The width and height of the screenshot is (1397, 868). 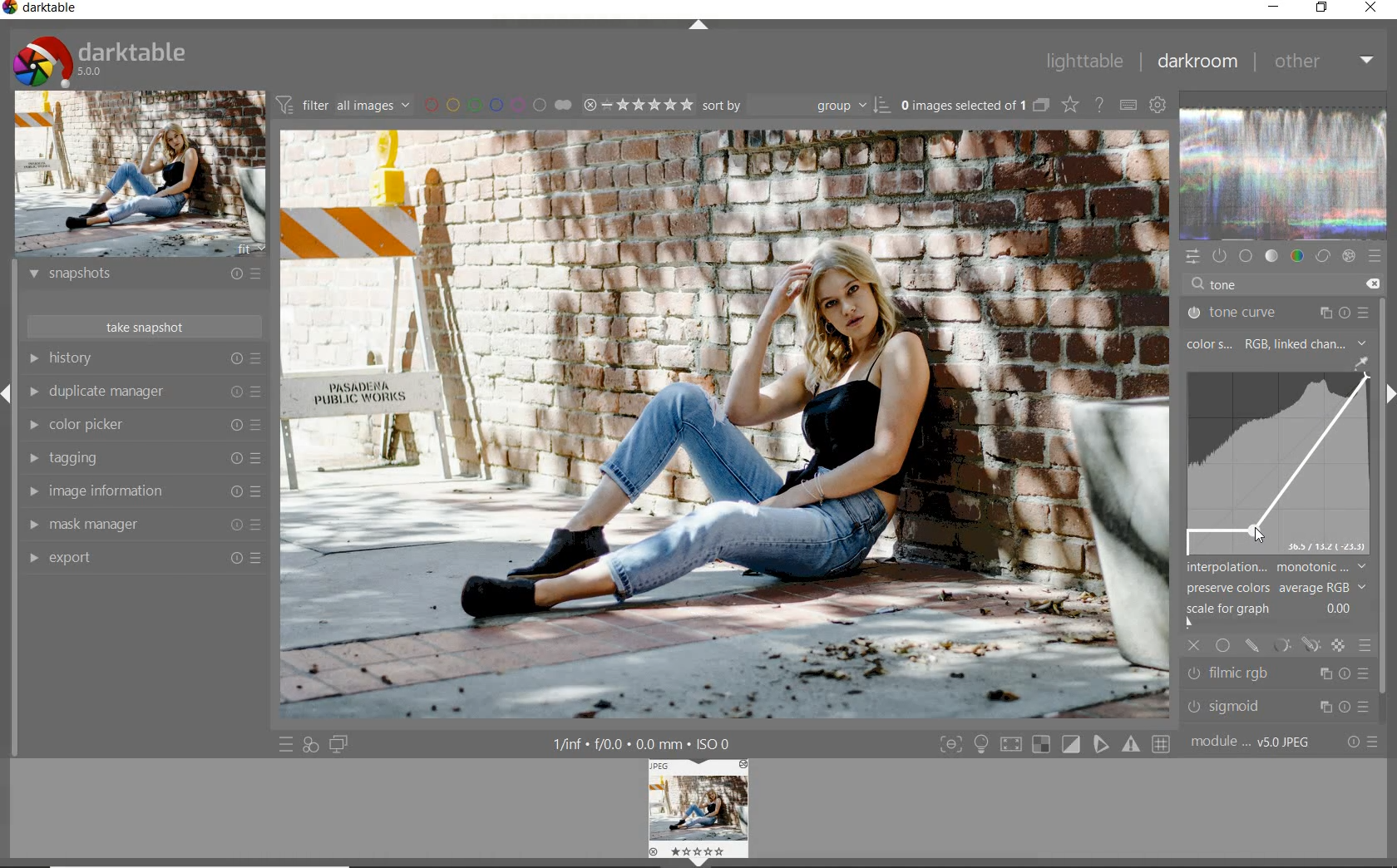 I want to click on mask options, so click(x=1294, y=646).